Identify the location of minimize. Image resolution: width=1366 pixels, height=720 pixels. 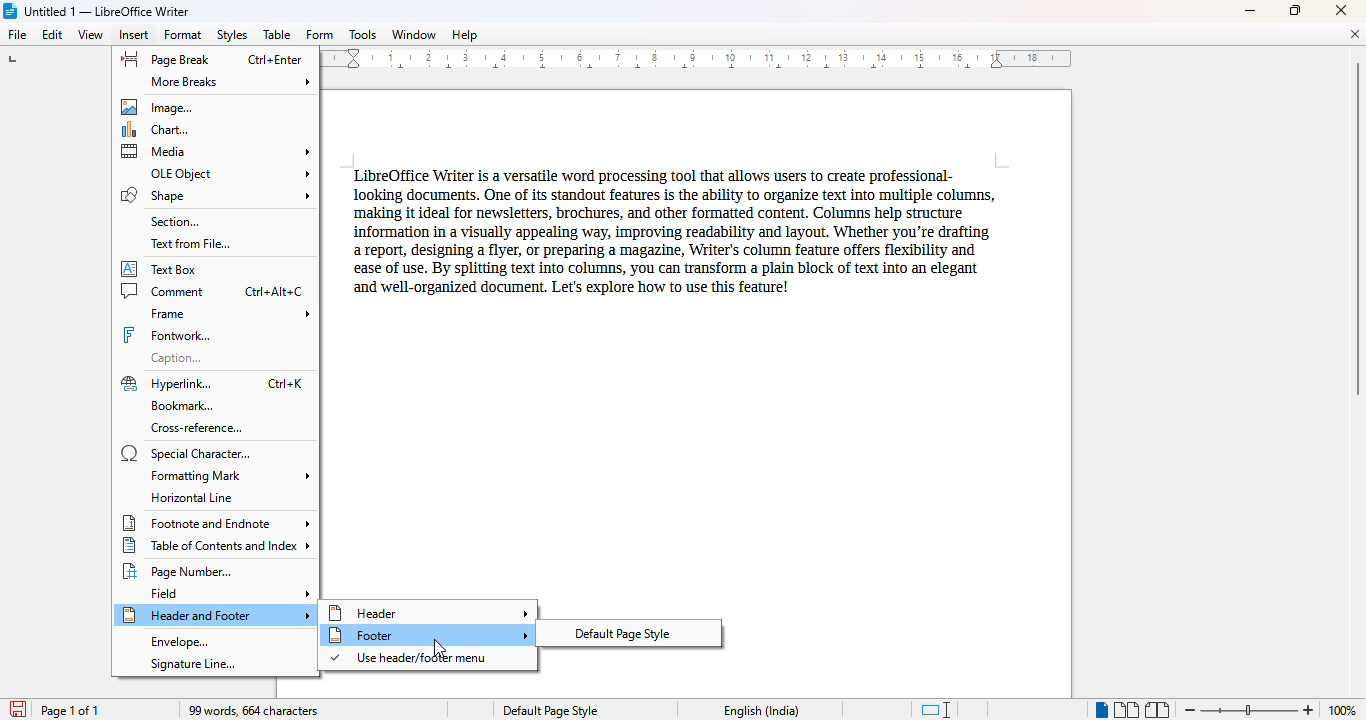
(1251, 11).